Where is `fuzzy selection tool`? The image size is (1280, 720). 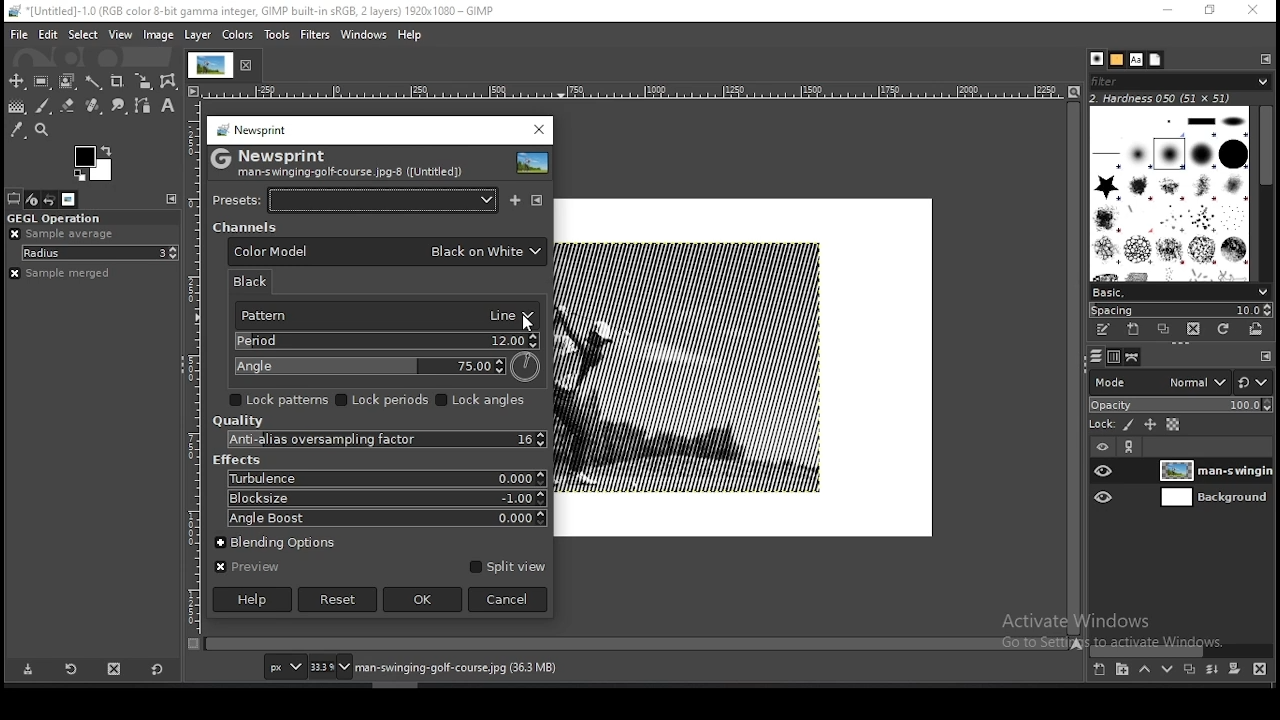
fuzzy selection tool is located at coordinates (93, 83).